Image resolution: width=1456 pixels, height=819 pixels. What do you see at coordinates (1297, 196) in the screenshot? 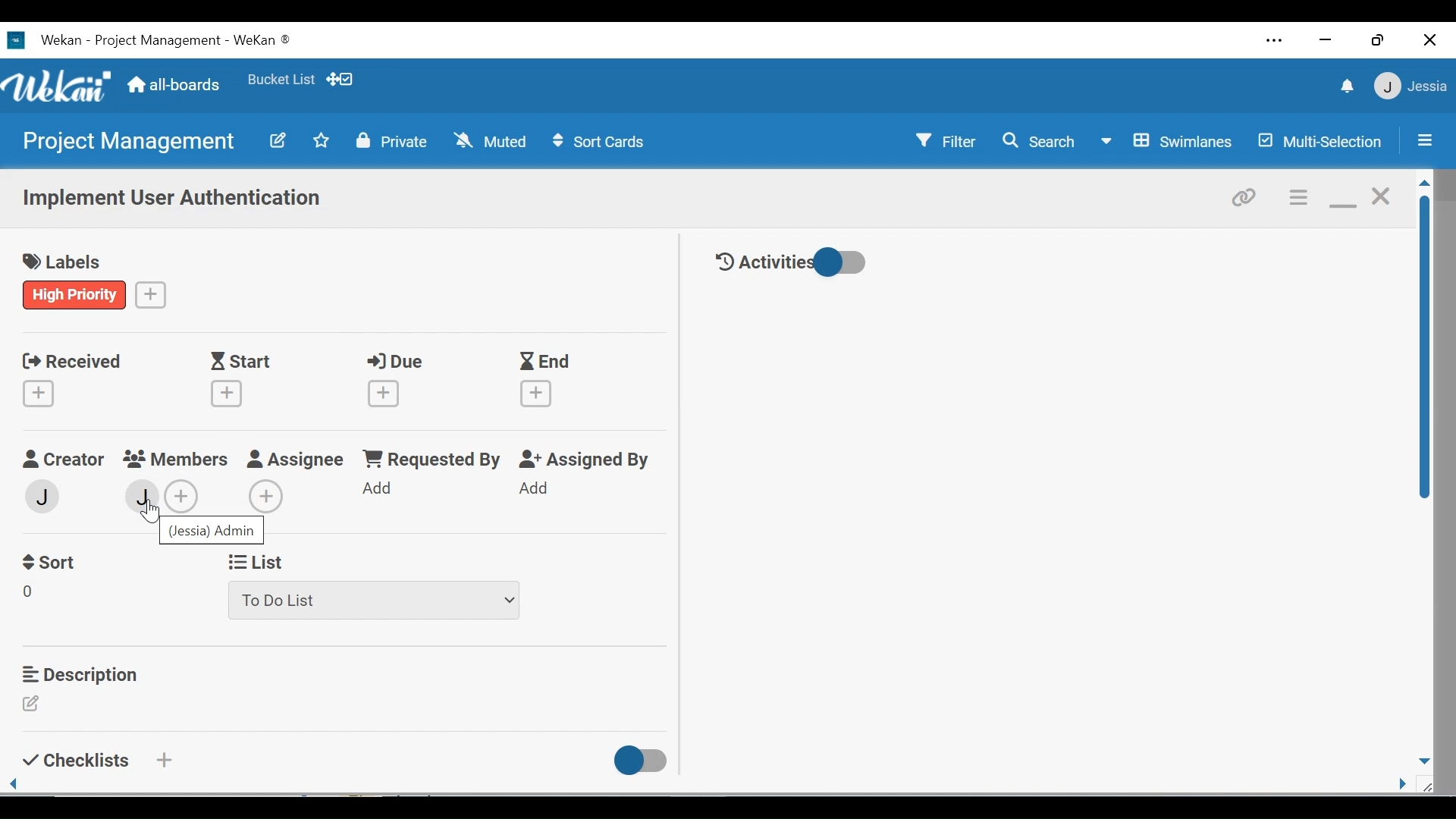
I see `options` at bounding box center [1297, 196].